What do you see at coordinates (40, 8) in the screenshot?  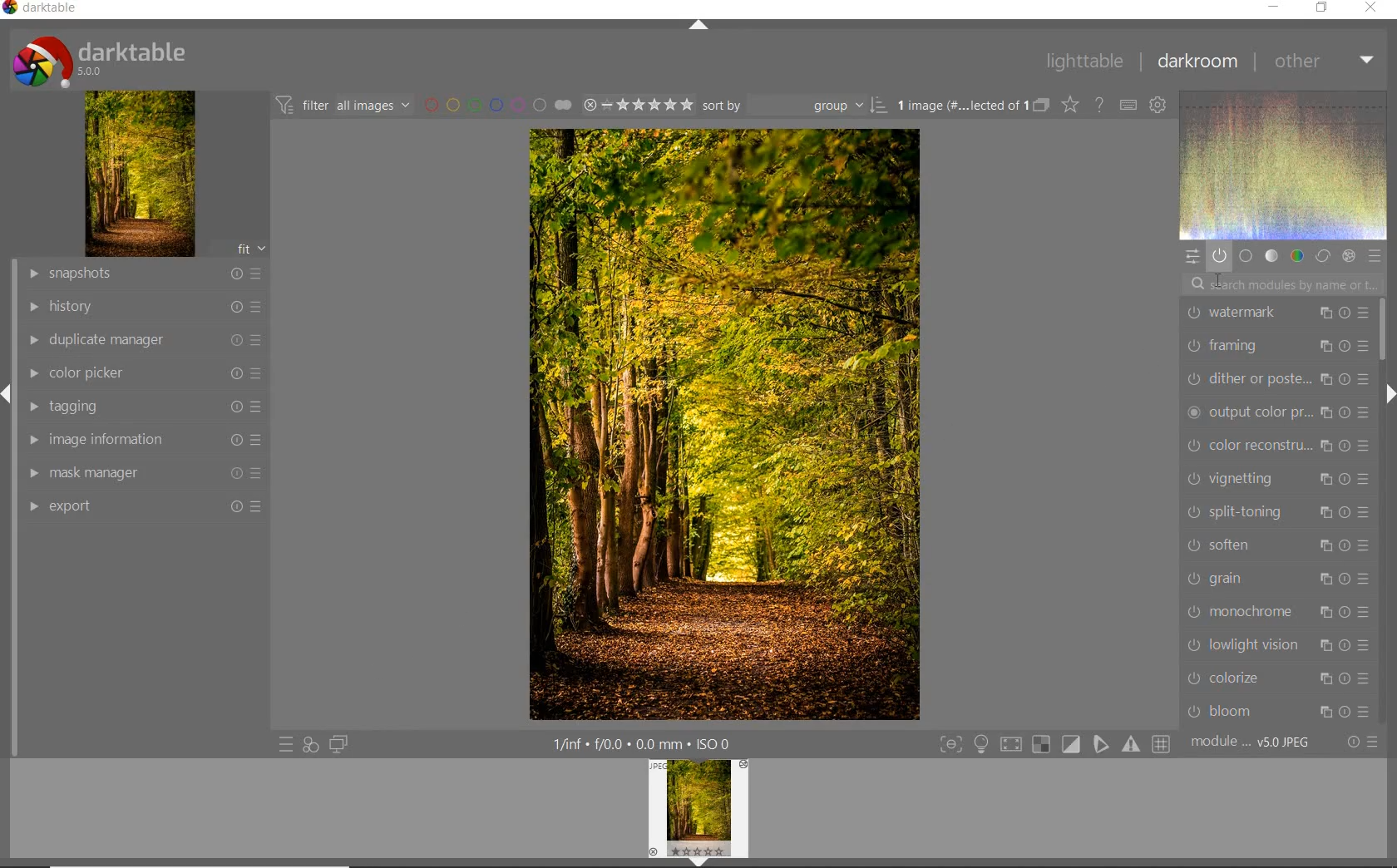 I see `system name` at bounding box center [40, 8].